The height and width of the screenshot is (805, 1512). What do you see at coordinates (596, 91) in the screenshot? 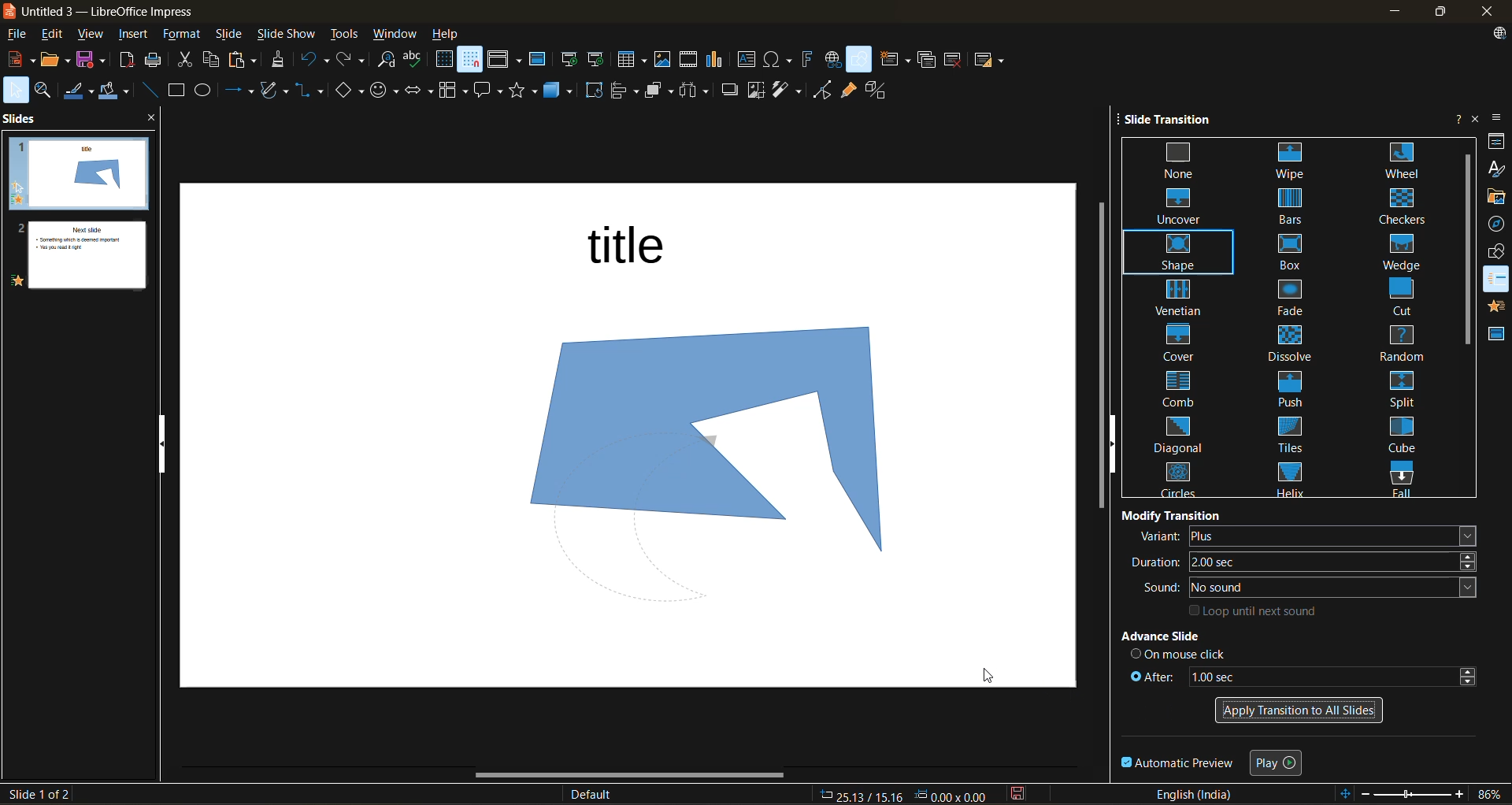
I see `rotate` at bounding box center [596, 91].